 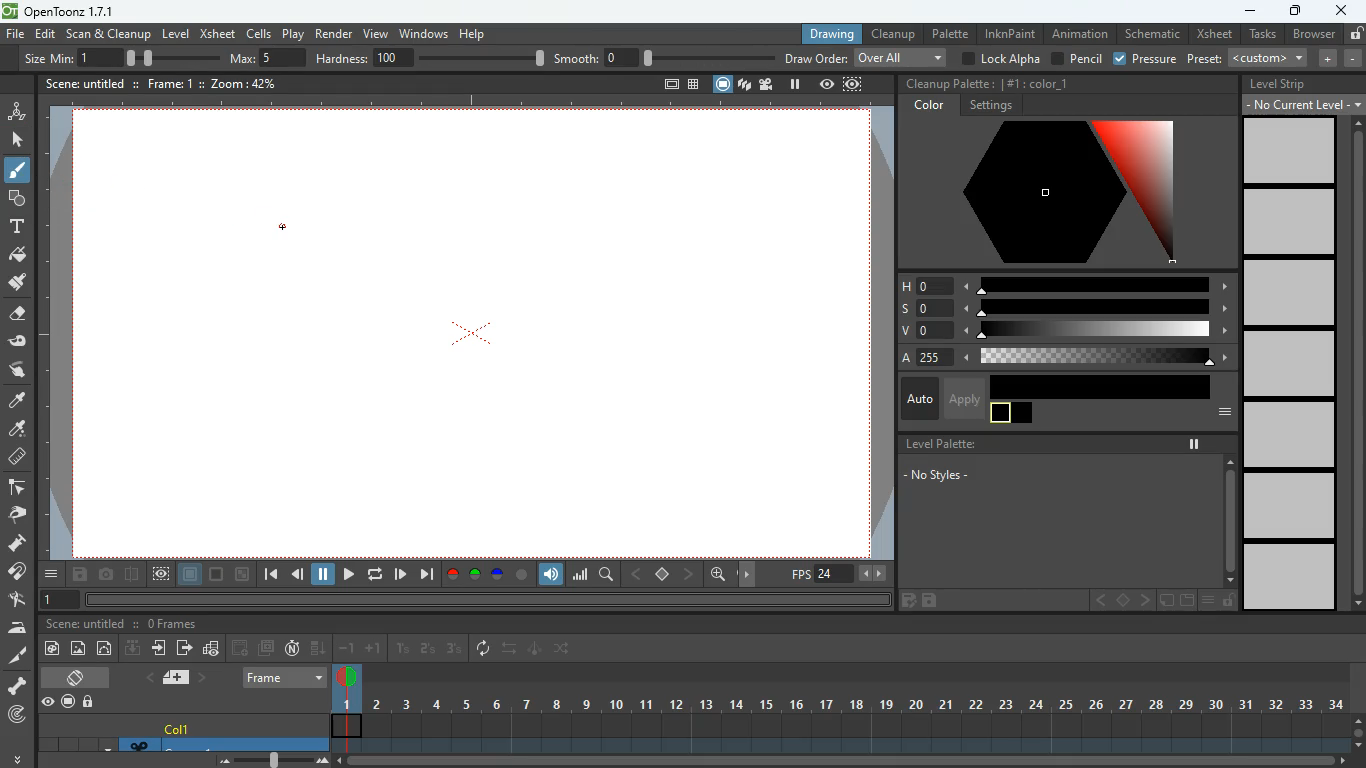 I want to click on skeleton, so click(x=16, y=685).